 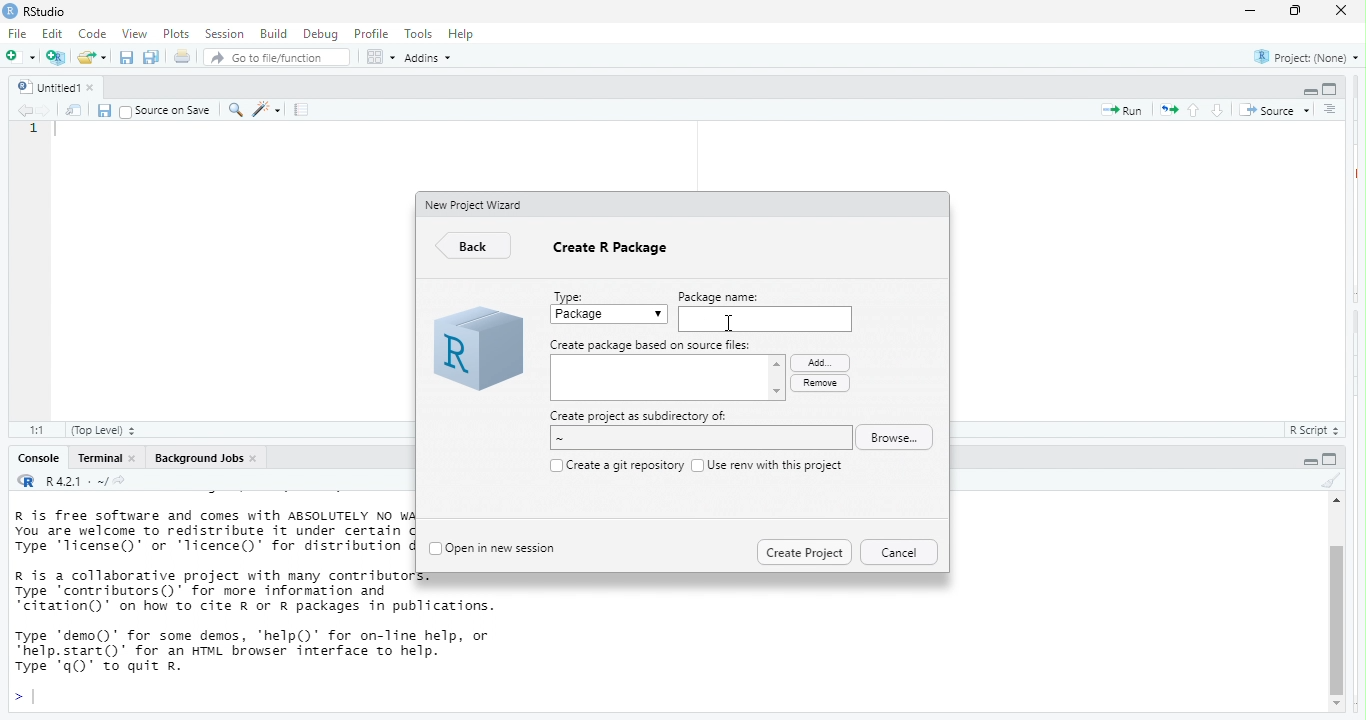 What do you see at coordinates (319, 34) in the screenshot?
I see `Debug` at bounding box center [319, 34].